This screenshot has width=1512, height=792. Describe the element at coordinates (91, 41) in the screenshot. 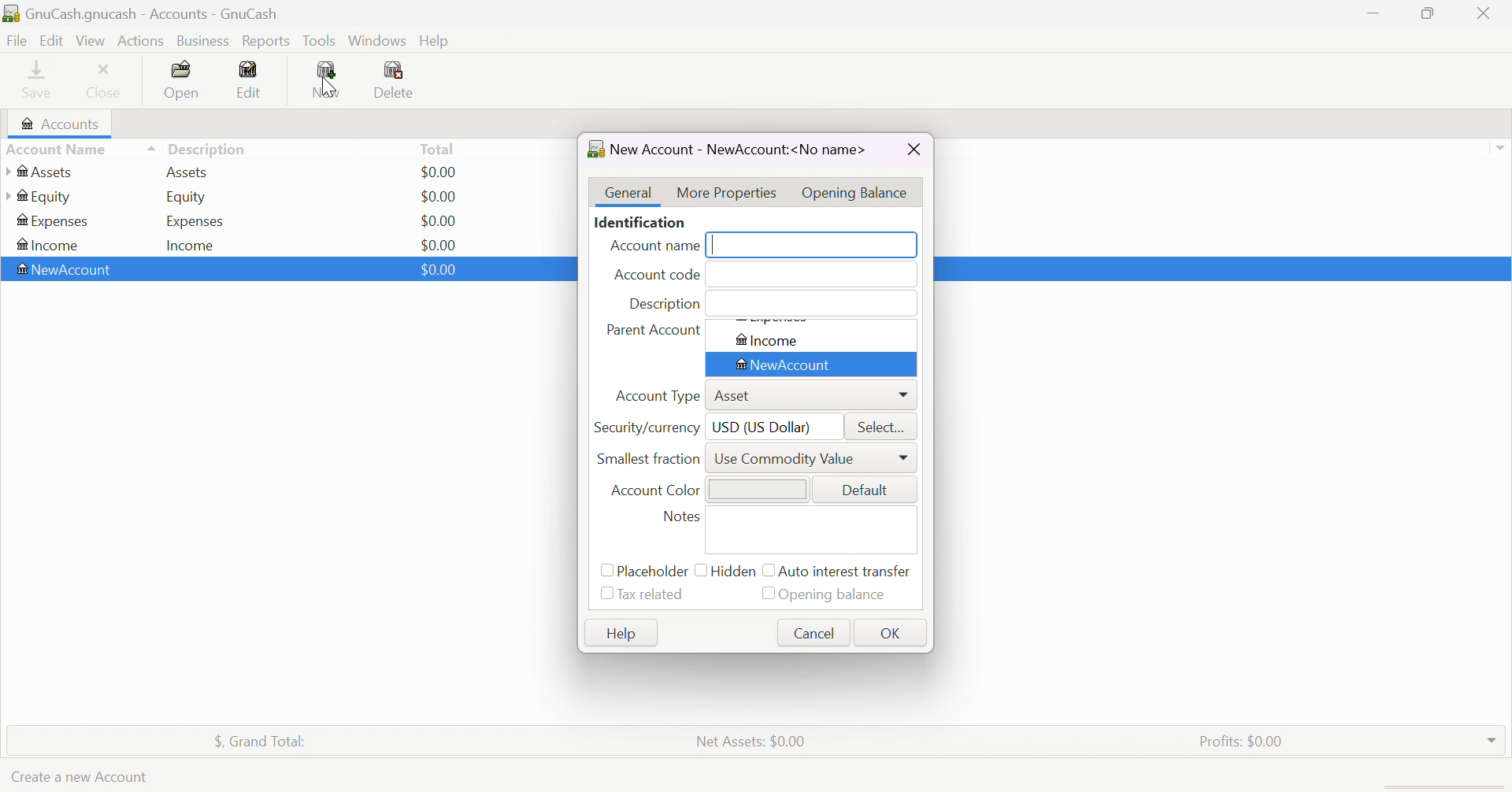

I see `View` at that location.